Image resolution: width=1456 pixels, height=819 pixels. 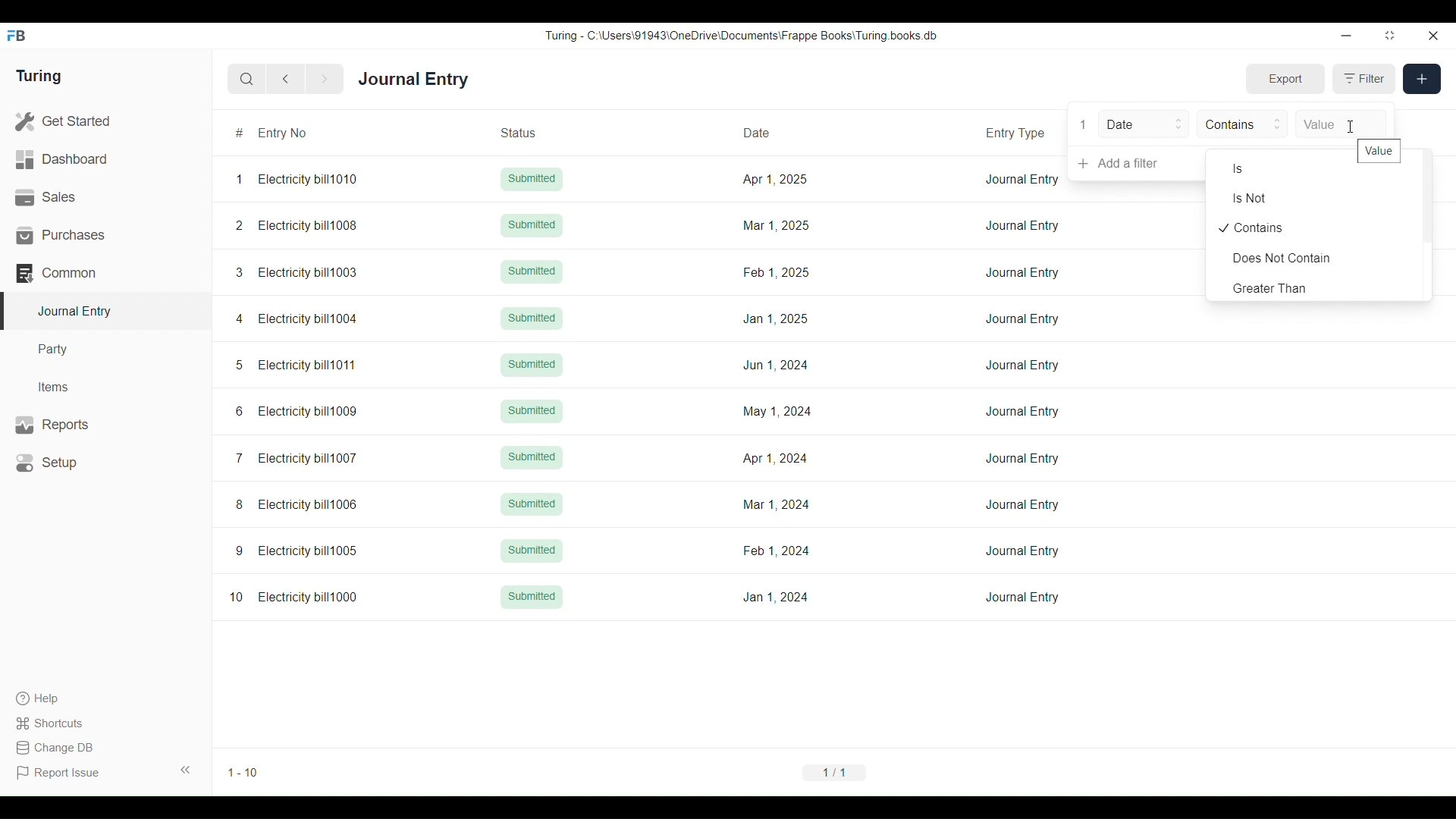 What do you see at coordinates (1018, 131) in the screenshot?
I see `Entry Type` at bounding box center [1018, 131].